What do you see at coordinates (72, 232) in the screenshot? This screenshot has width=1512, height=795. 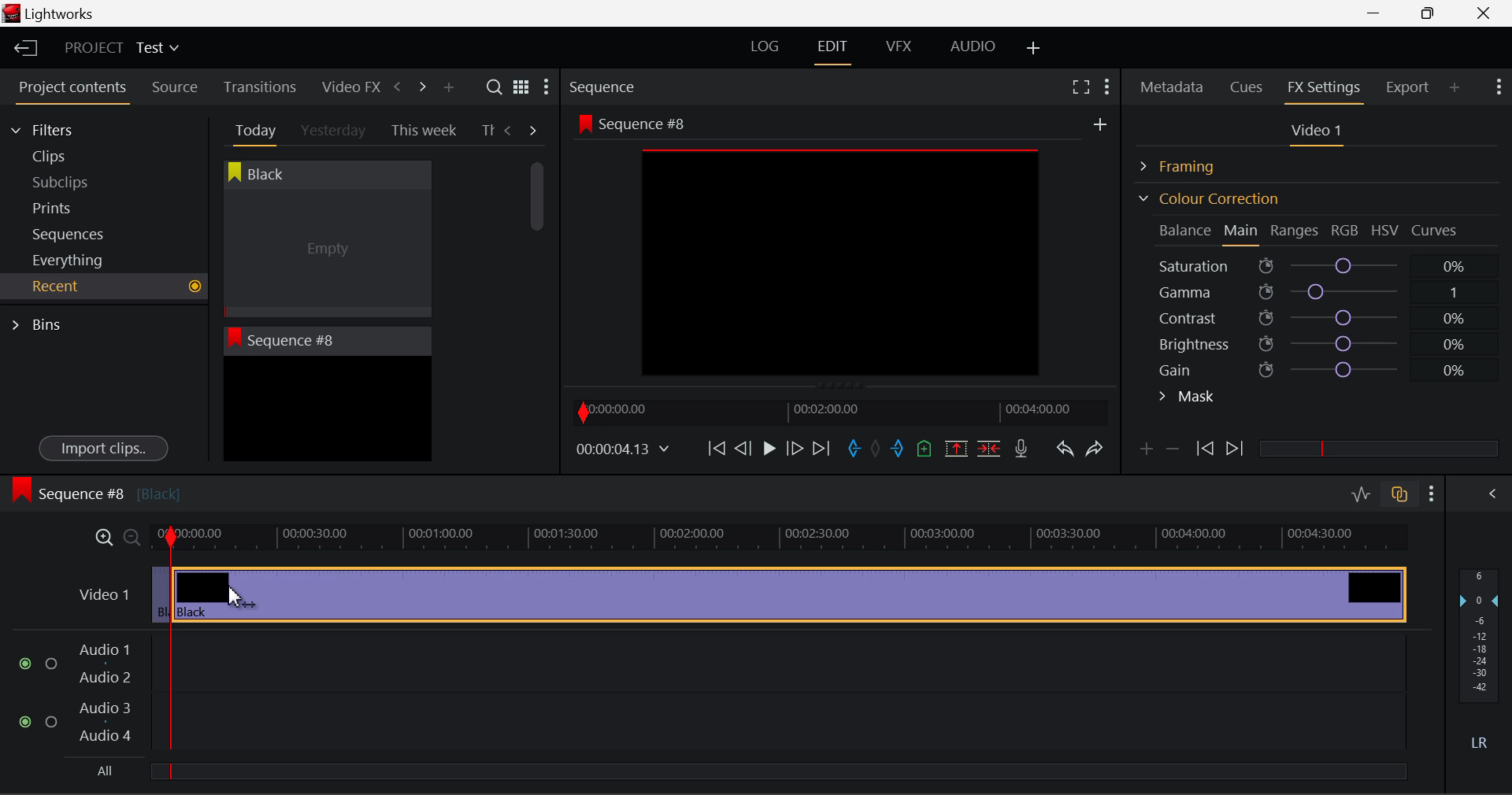 I see `Sequences` at bounding box center [72, 232].